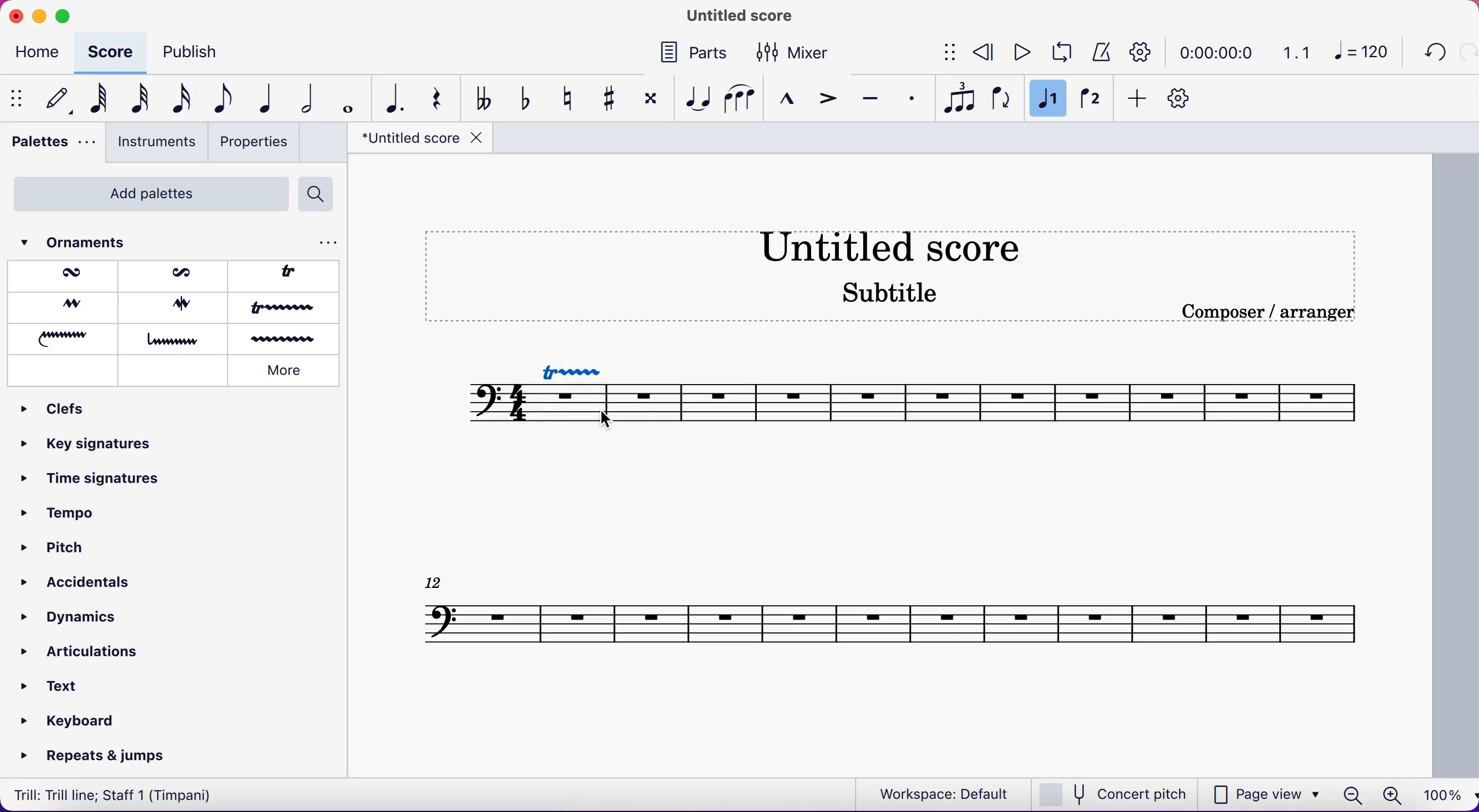  I want to click on search, so click(321, 195).